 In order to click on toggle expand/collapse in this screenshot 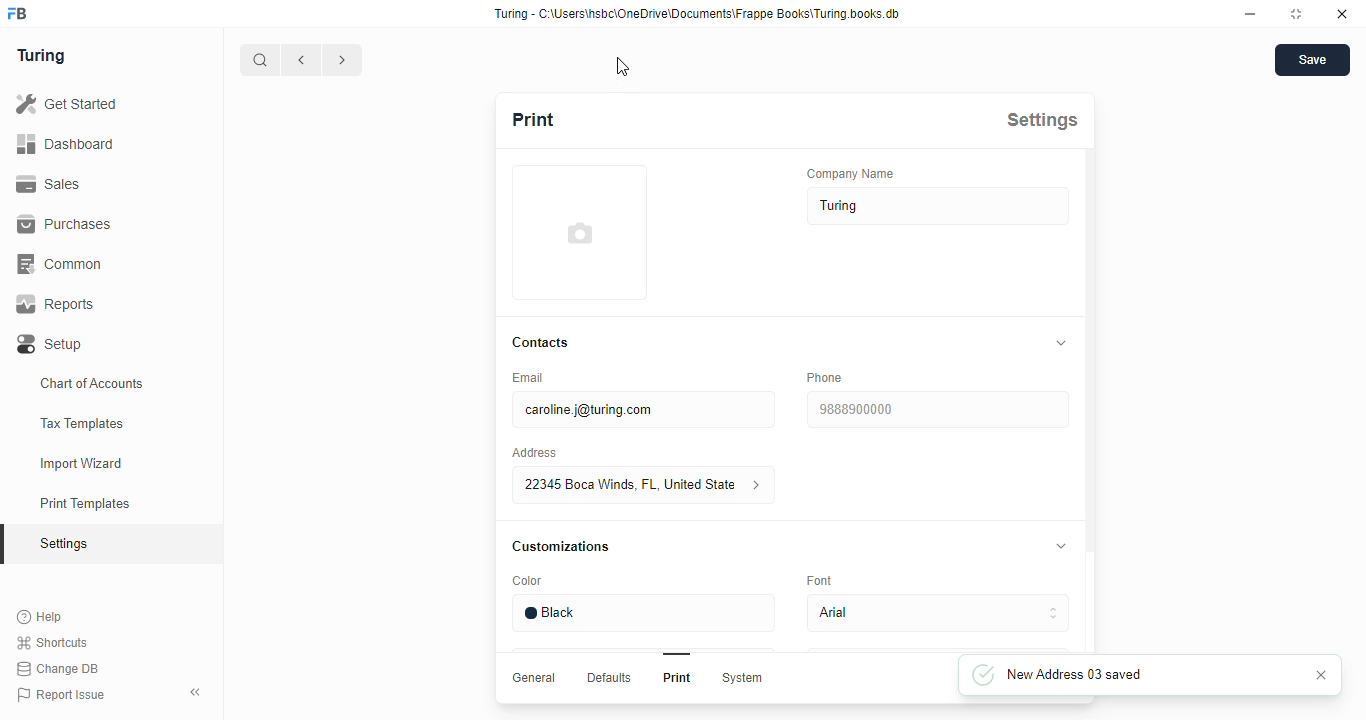, I will do `click(1062, 545)`.